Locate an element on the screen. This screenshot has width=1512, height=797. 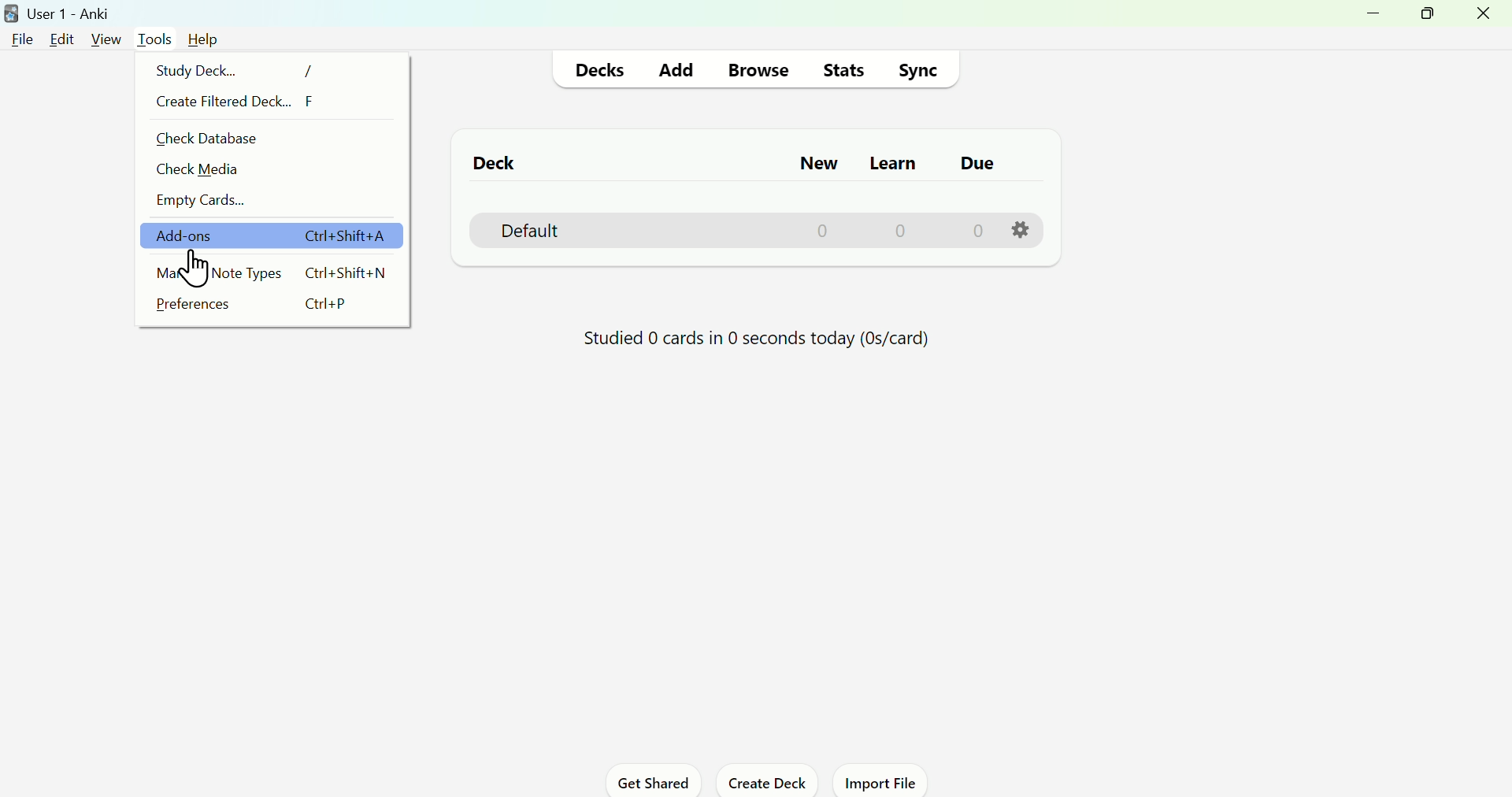
Manage Note Types is located at coordinates (272, 272).